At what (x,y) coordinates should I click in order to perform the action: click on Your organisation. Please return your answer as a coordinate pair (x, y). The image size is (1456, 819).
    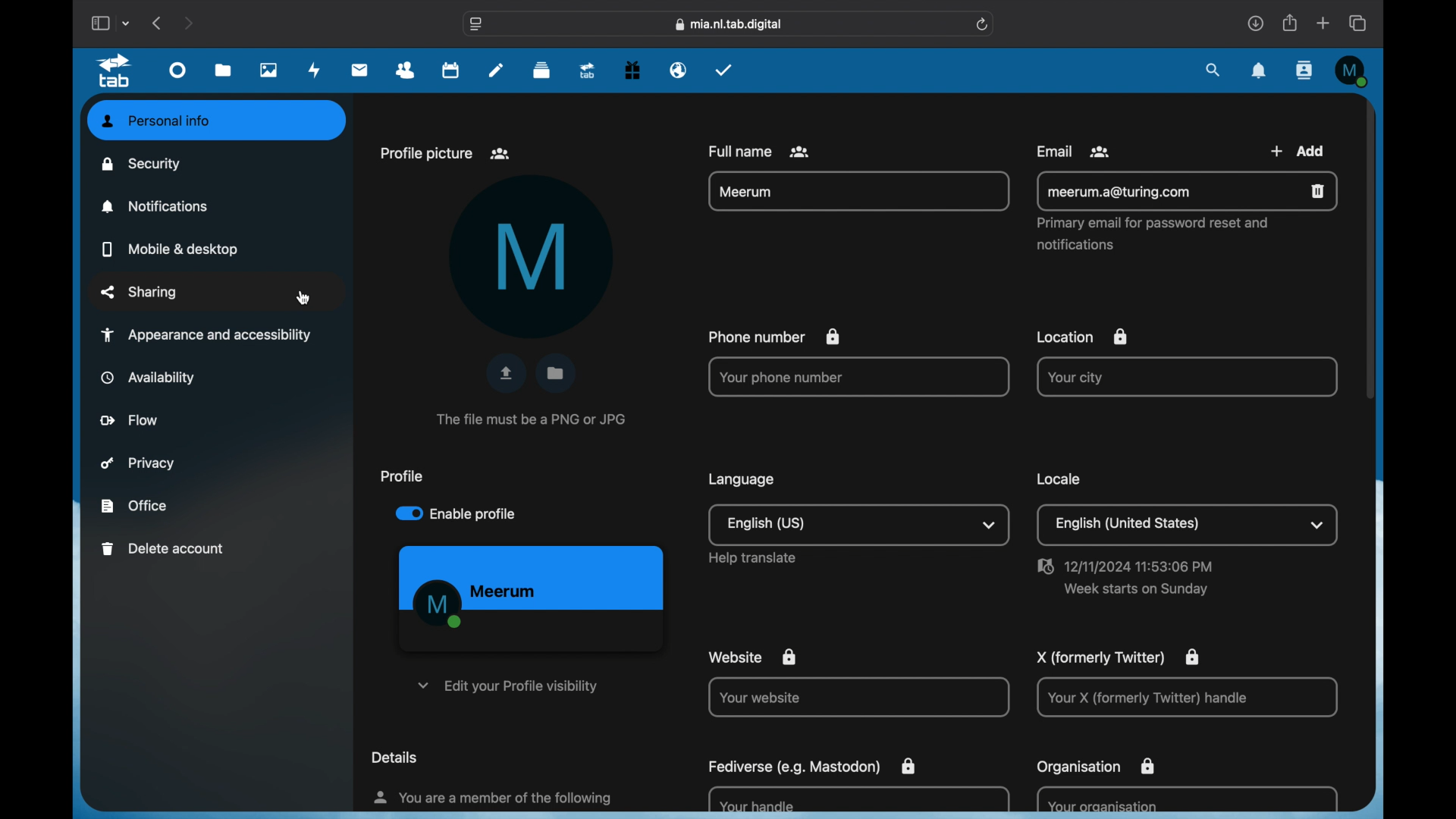
    Looking at the image, I should click on (1188, 799).